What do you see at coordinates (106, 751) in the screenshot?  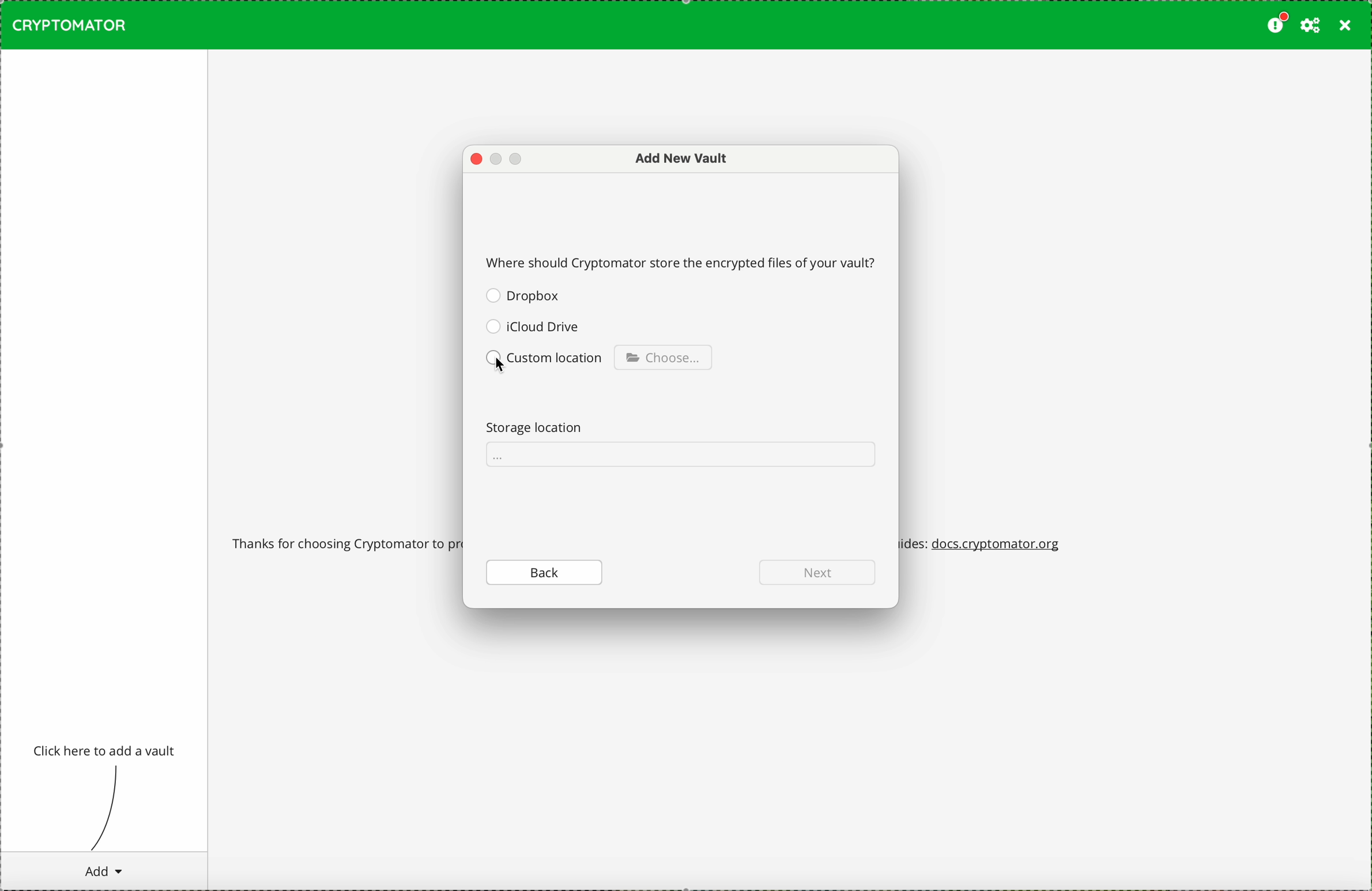 I see `click to add a vault` at bounding box center [106, 751].